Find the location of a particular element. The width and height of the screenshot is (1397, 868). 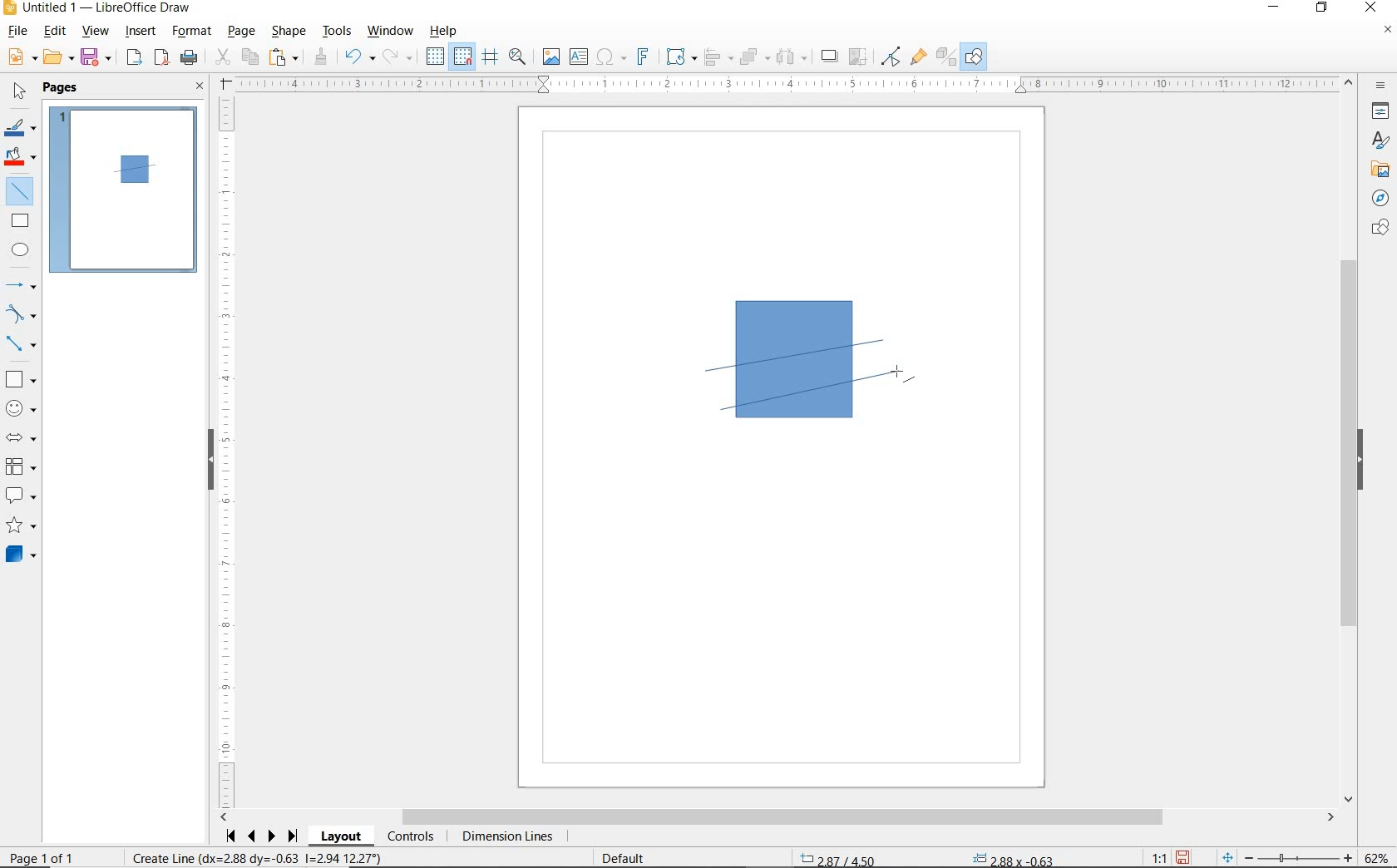

HELPLINES WHILE MOVING is located at coordinates (493, 59).